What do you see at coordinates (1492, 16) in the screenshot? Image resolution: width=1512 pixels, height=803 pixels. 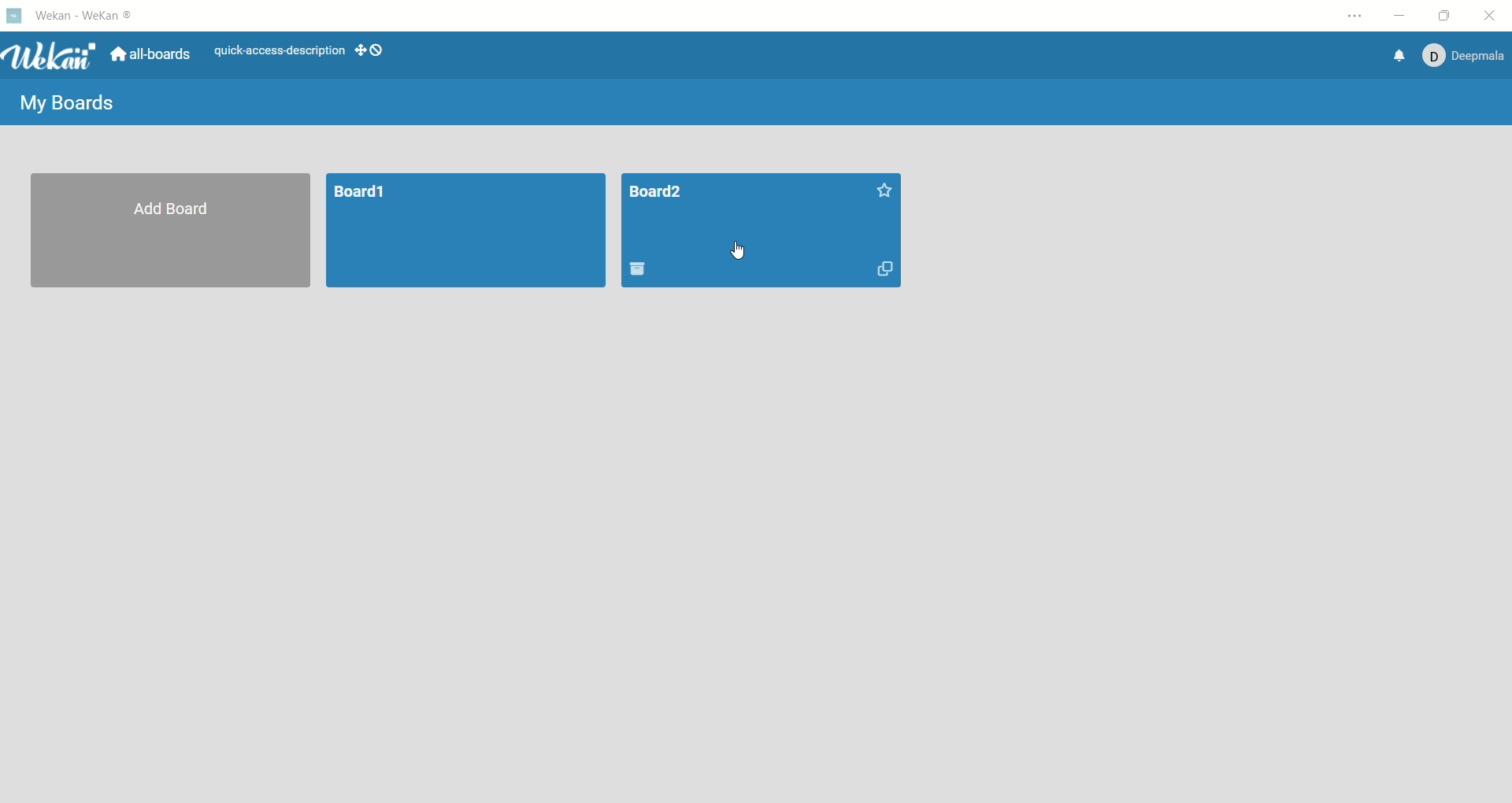 I see `close` at bounding box center [1492, 16].